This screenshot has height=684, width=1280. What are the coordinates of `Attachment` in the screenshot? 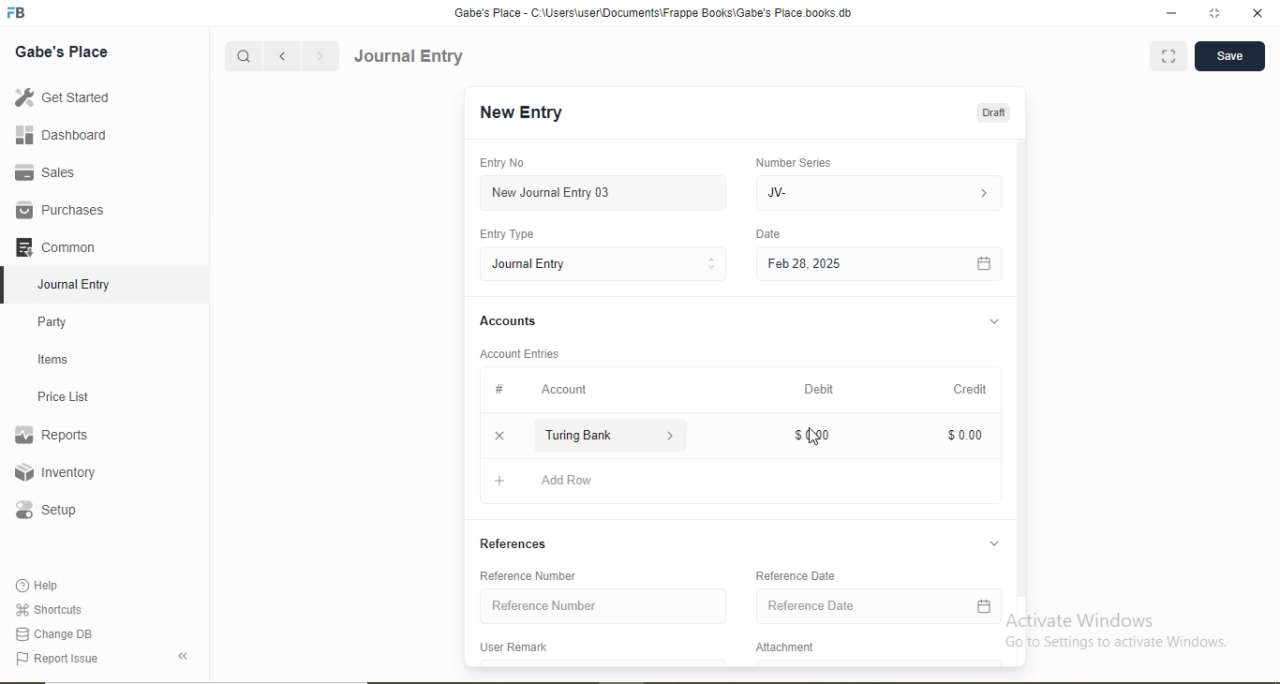 It's located at (787, 647).